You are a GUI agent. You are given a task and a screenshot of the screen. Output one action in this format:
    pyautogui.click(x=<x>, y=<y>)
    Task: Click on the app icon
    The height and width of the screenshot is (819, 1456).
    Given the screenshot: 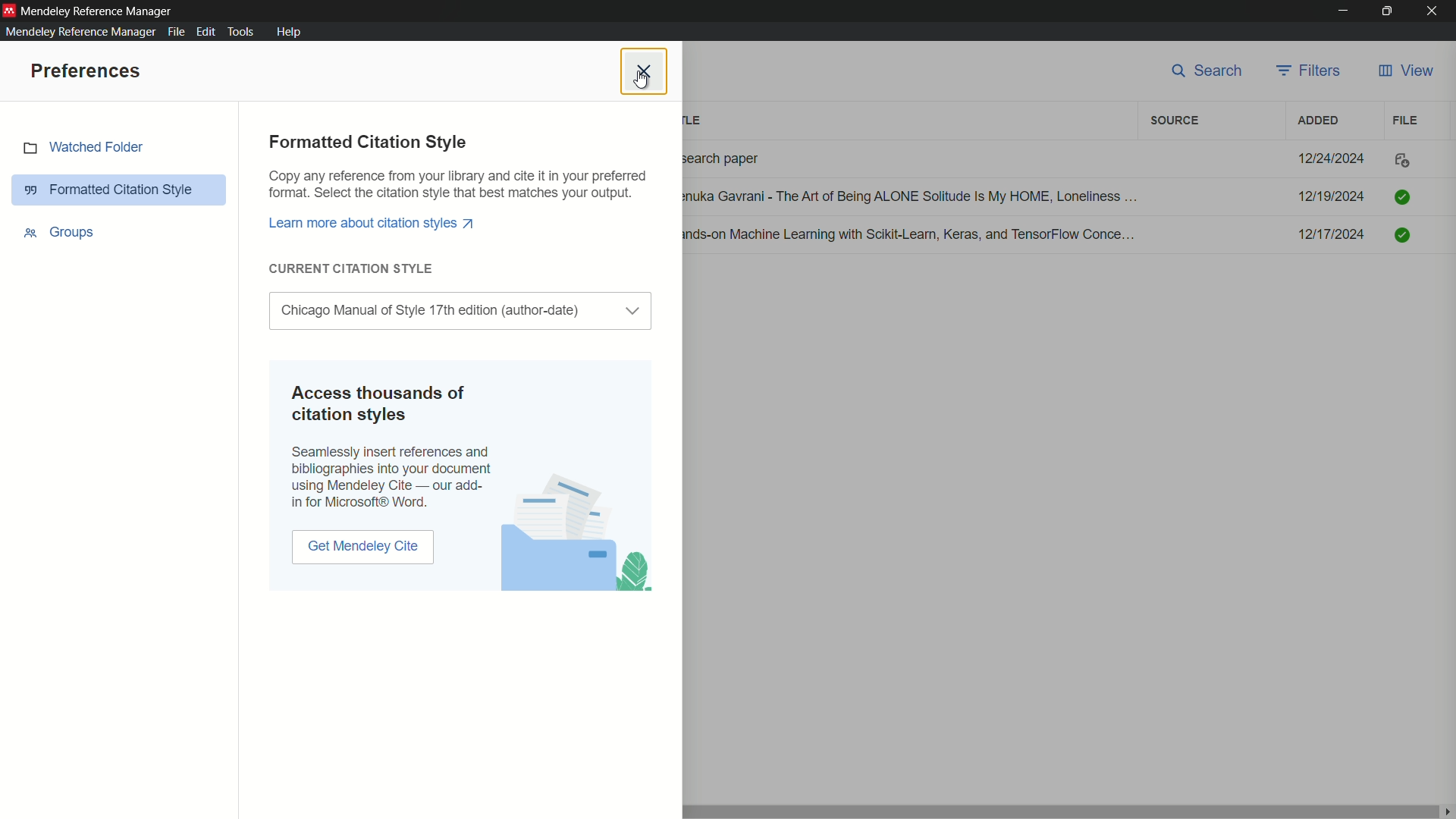 What is the action you would take?
    pyautogui.click(x=9, y=9)
    